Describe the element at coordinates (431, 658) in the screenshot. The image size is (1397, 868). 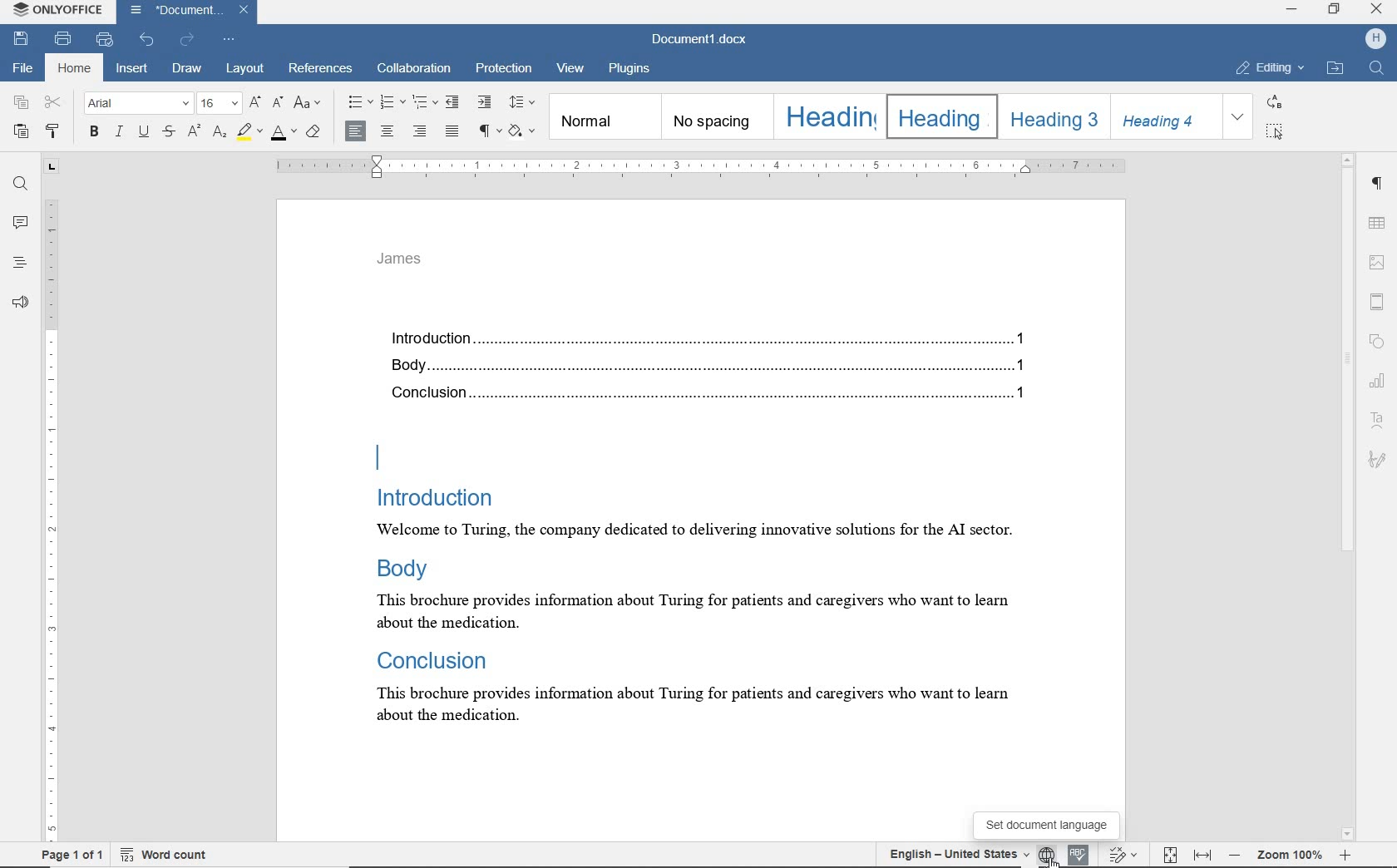
I see `Conclusion` at that location.